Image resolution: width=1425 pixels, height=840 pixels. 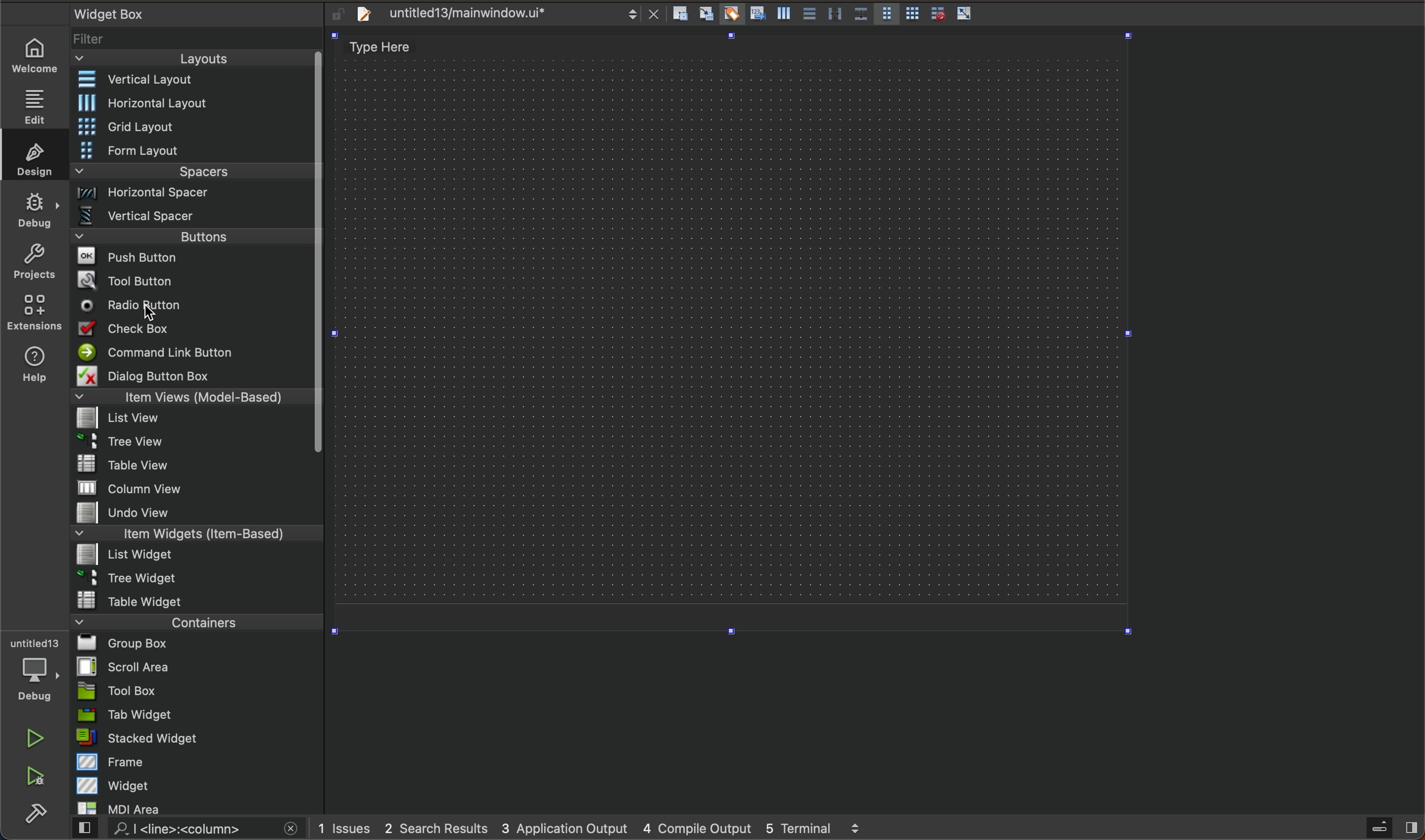 What do you see at coordinates (189, 378) in the screenshot?
I see `dialong button` at bounding box center [189, 378].